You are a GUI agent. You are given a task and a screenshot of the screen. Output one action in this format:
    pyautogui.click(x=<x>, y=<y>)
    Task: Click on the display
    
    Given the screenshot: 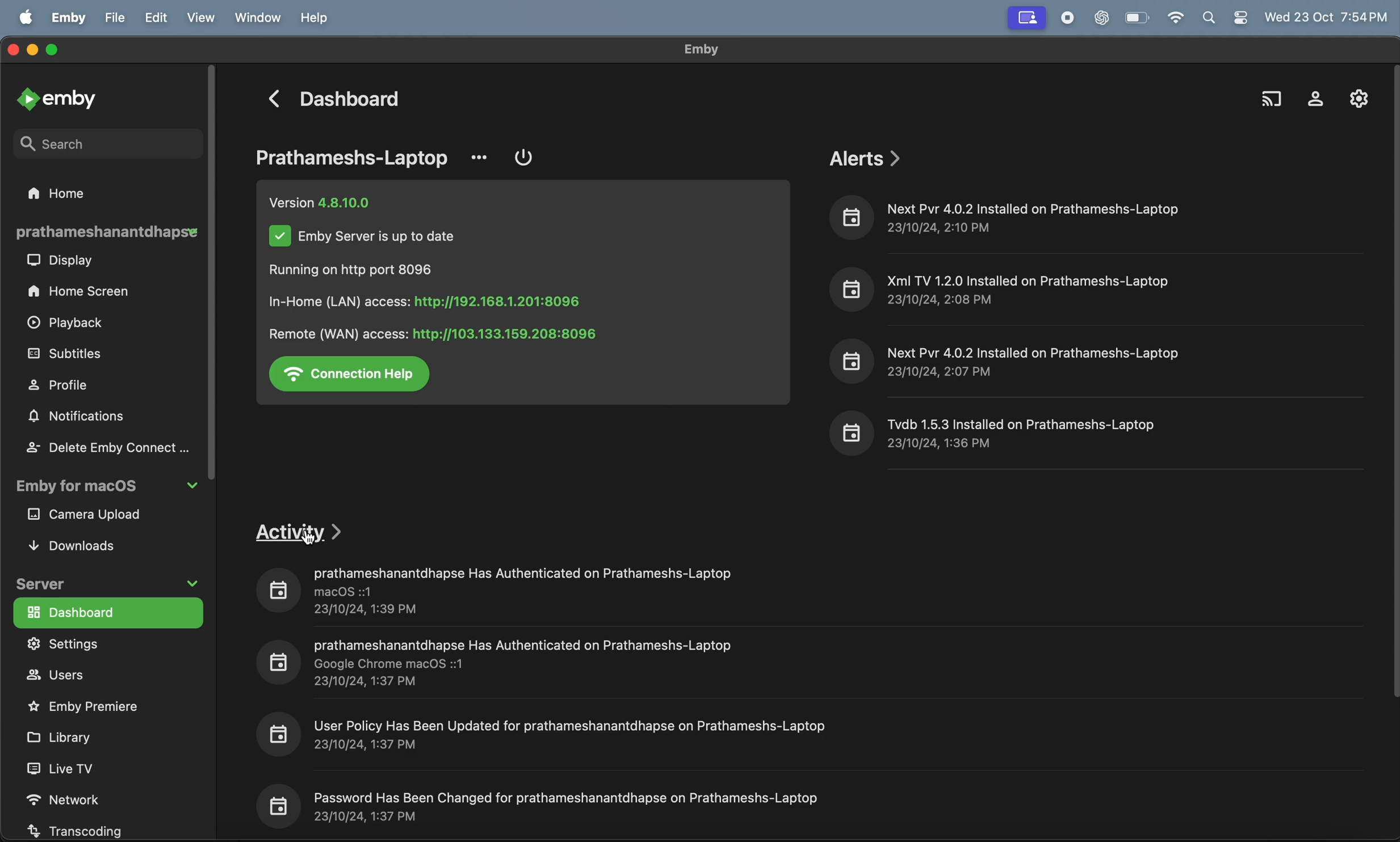 What is the action you would take?
    pyautogui.click(x=65, y=262)
    